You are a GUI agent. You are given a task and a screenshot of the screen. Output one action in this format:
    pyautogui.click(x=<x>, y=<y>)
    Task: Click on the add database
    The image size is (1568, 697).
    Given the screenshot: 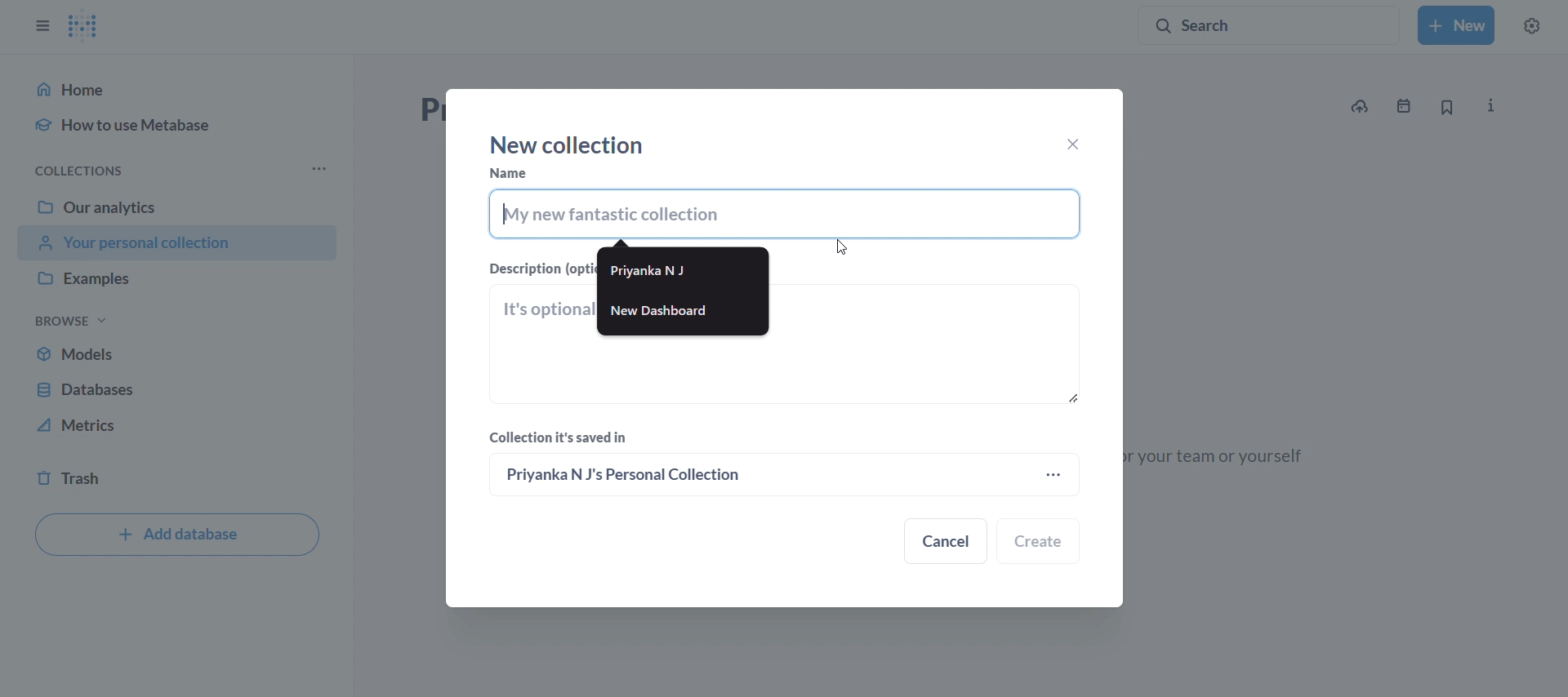 What is the action you would take?
    pyautogui.click(x=176, y=535)
    